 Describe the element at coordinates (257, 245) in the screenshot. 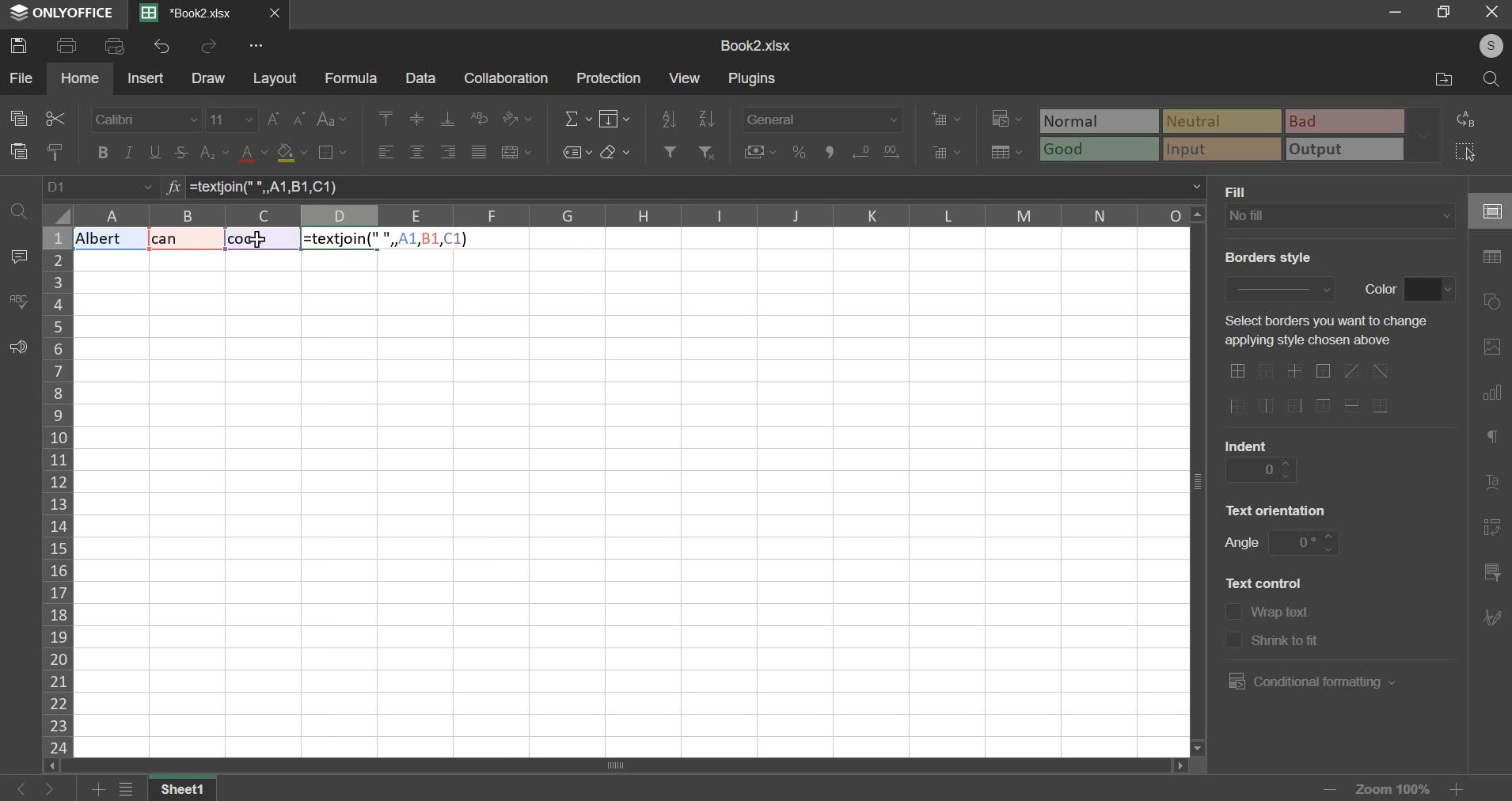

I see `cursor` at that location.